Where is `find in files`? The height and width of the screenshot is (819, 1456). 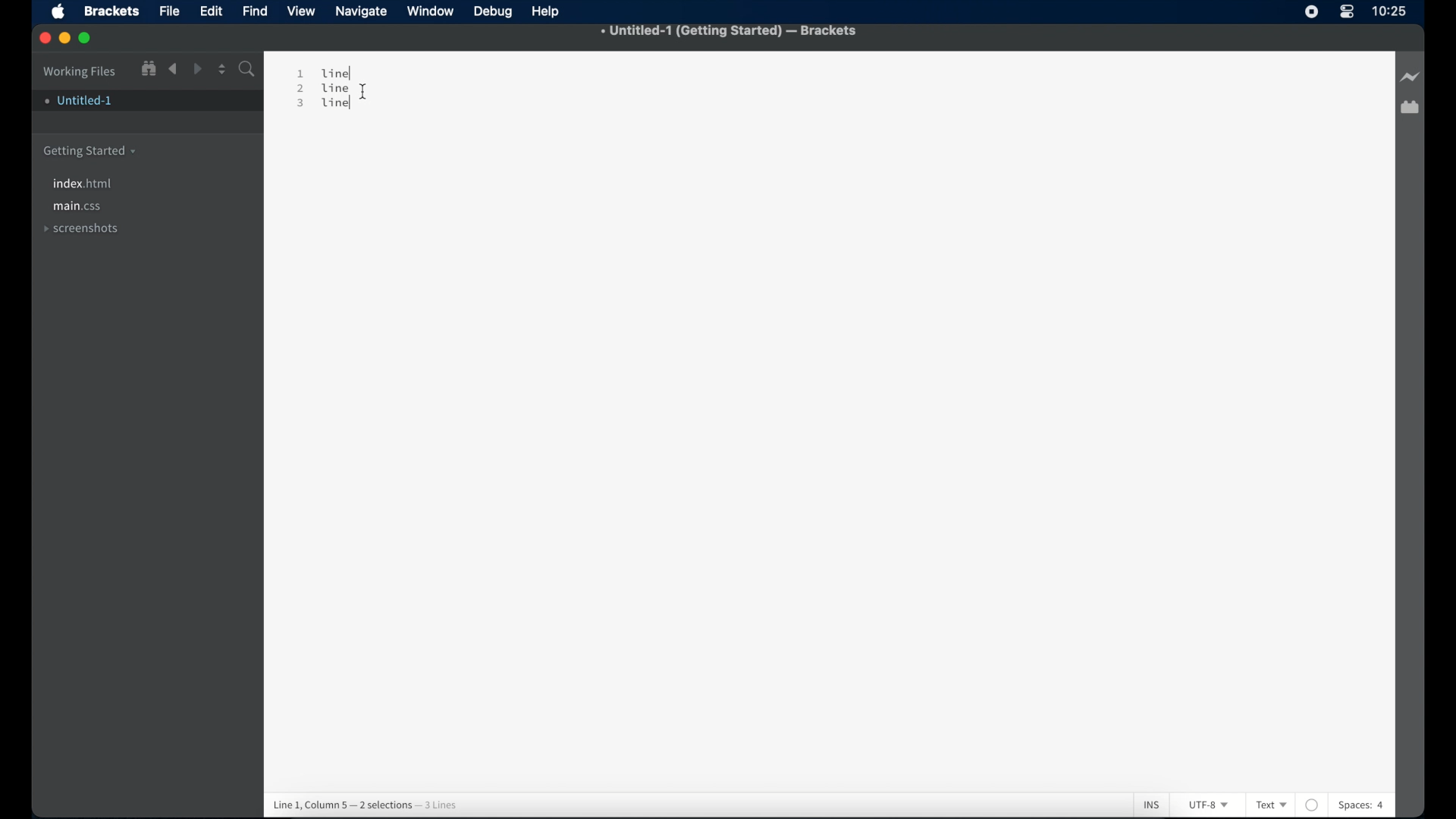
find in files is located at coordinates (248, 70).